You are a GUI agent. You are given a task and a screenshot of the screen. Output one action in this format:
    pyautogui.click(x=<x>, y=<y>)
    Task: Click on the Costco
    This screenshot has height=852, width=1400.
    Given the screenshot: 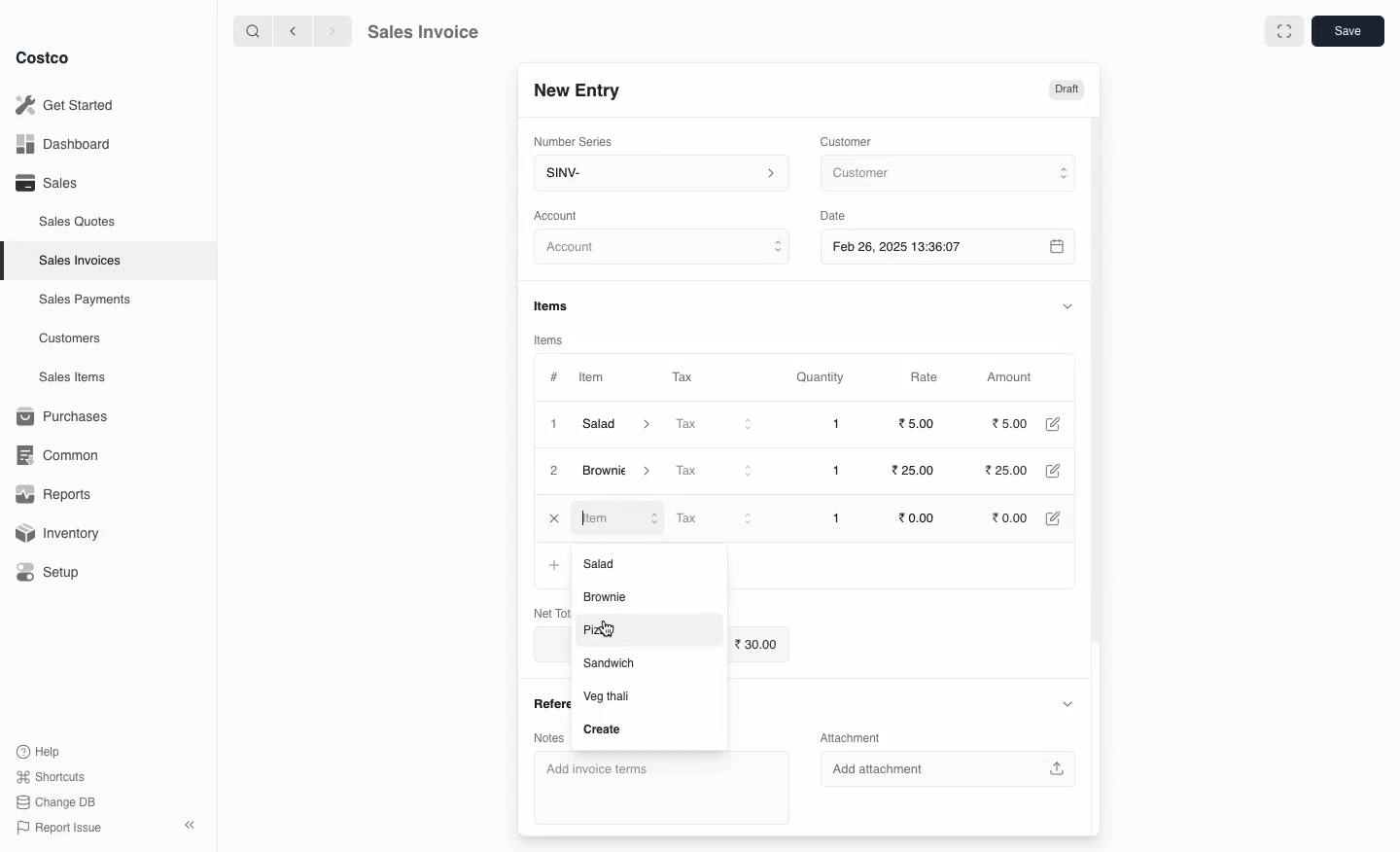 What is the action you would take?
    pyautogui.click(x=48, y=58)
    